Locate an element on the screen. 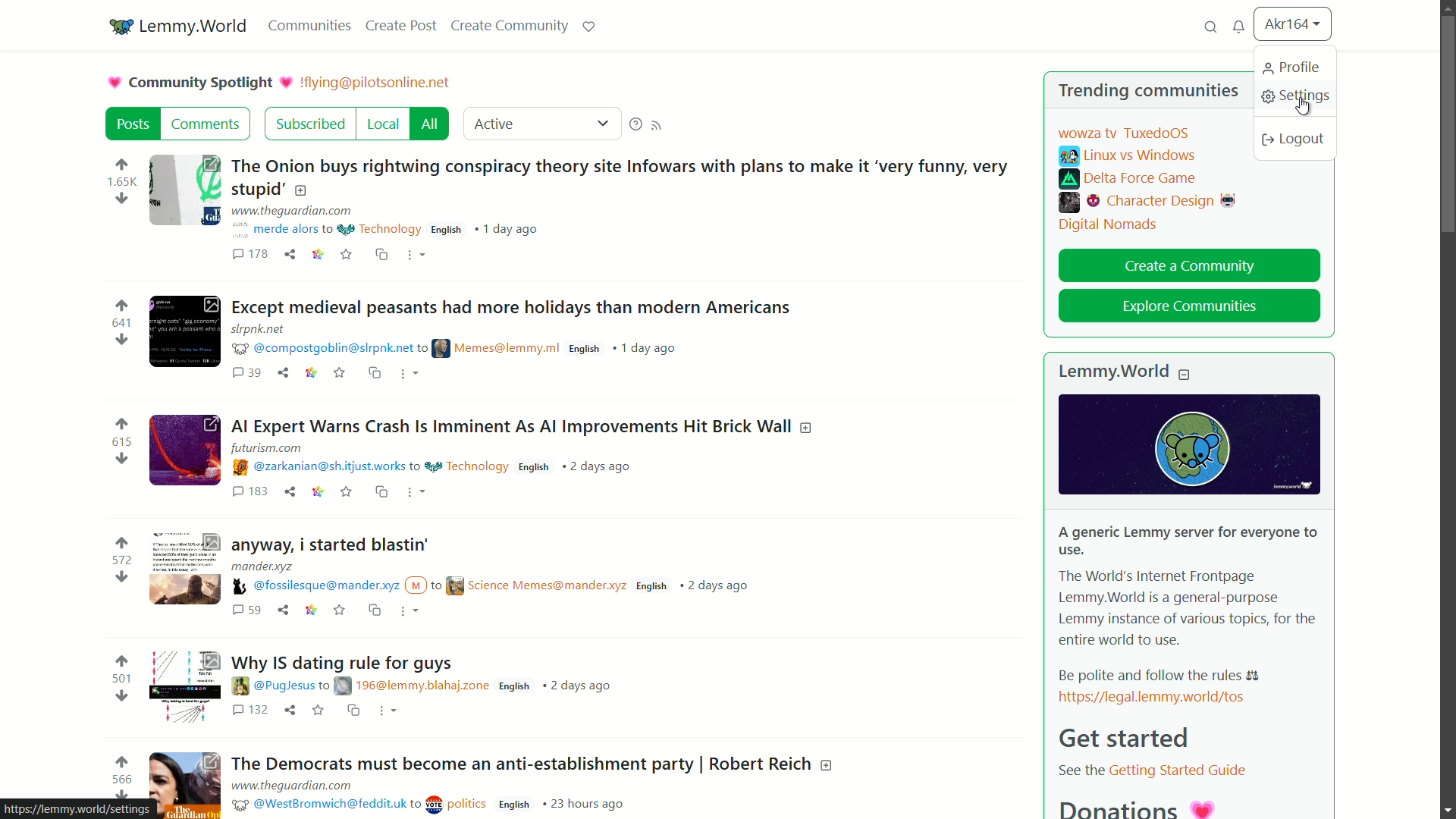 This screenshot has height=819, width=1456. more is located at coordinates (406, 371).